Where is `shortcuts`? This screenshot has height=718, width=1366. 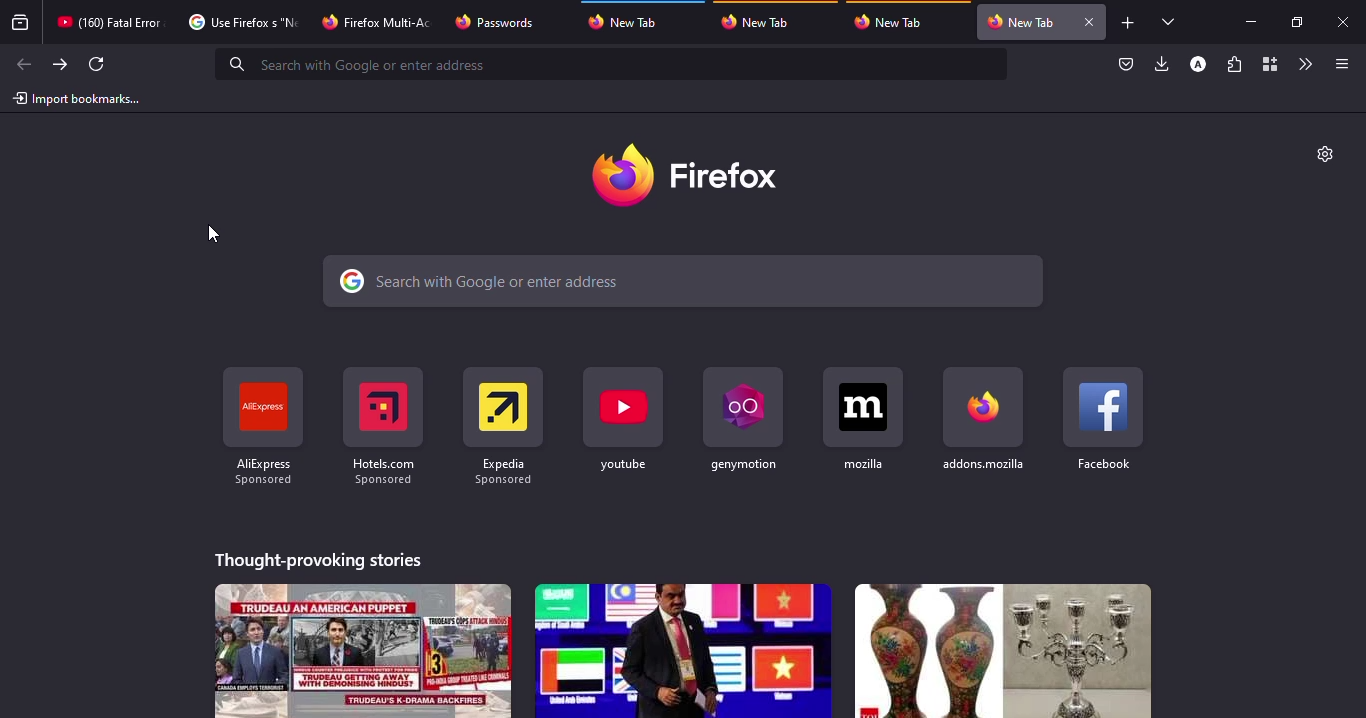
shortcuts is located at coordinates (864, 422).